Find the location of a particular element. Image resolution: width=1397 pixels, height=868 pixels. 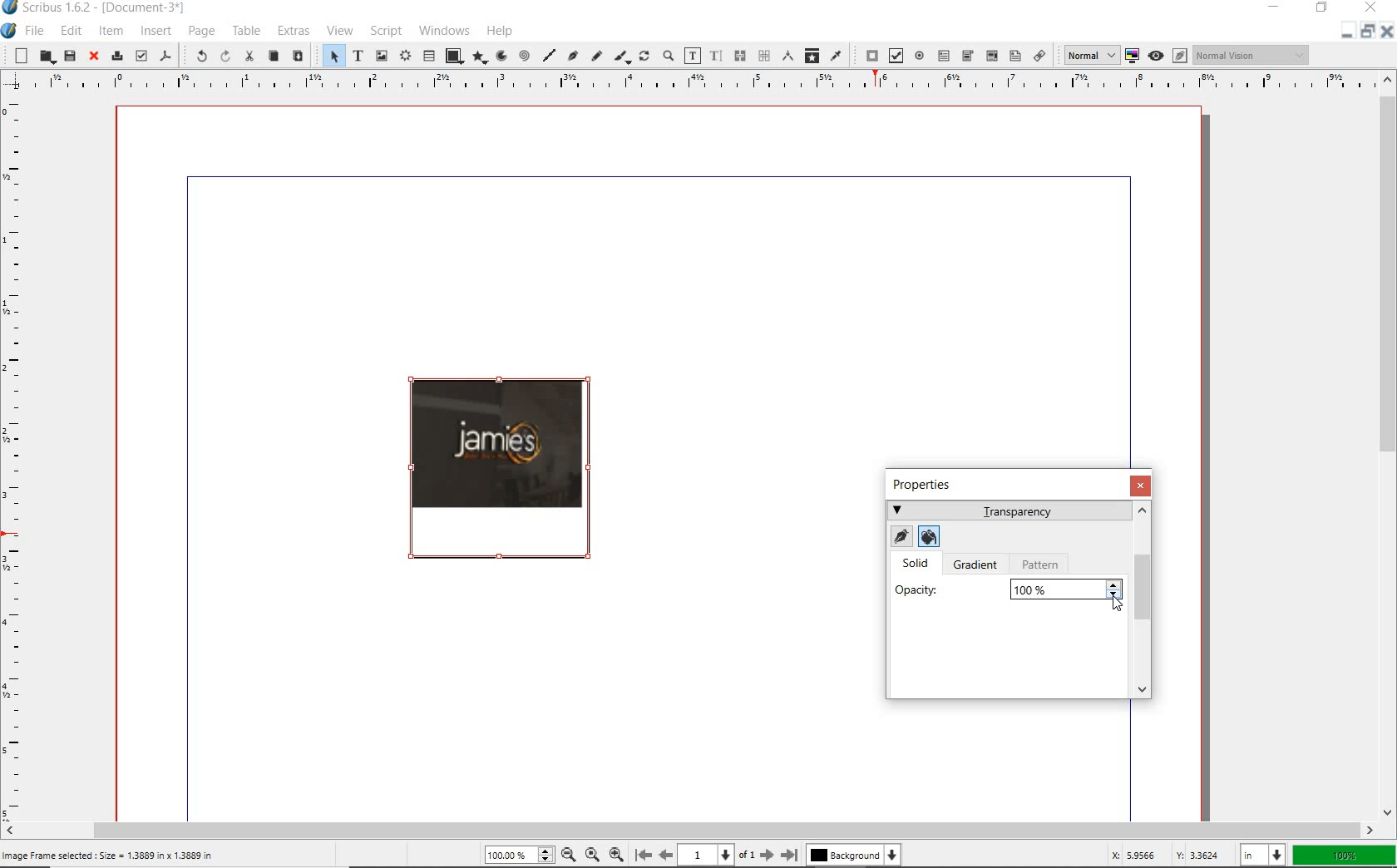

UNDO is located at coordinates (199, 55).